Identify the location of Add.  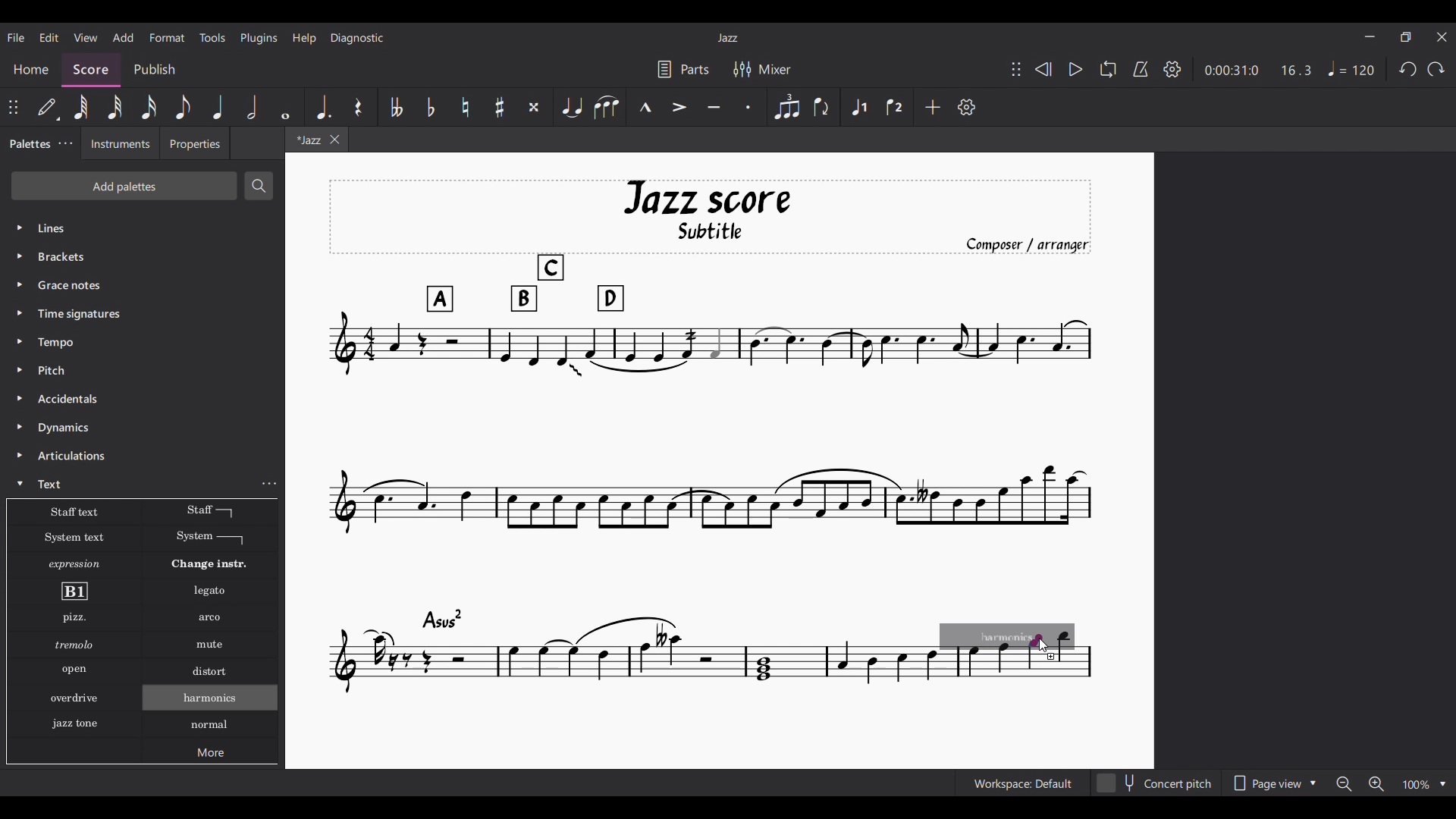
(933, 107).